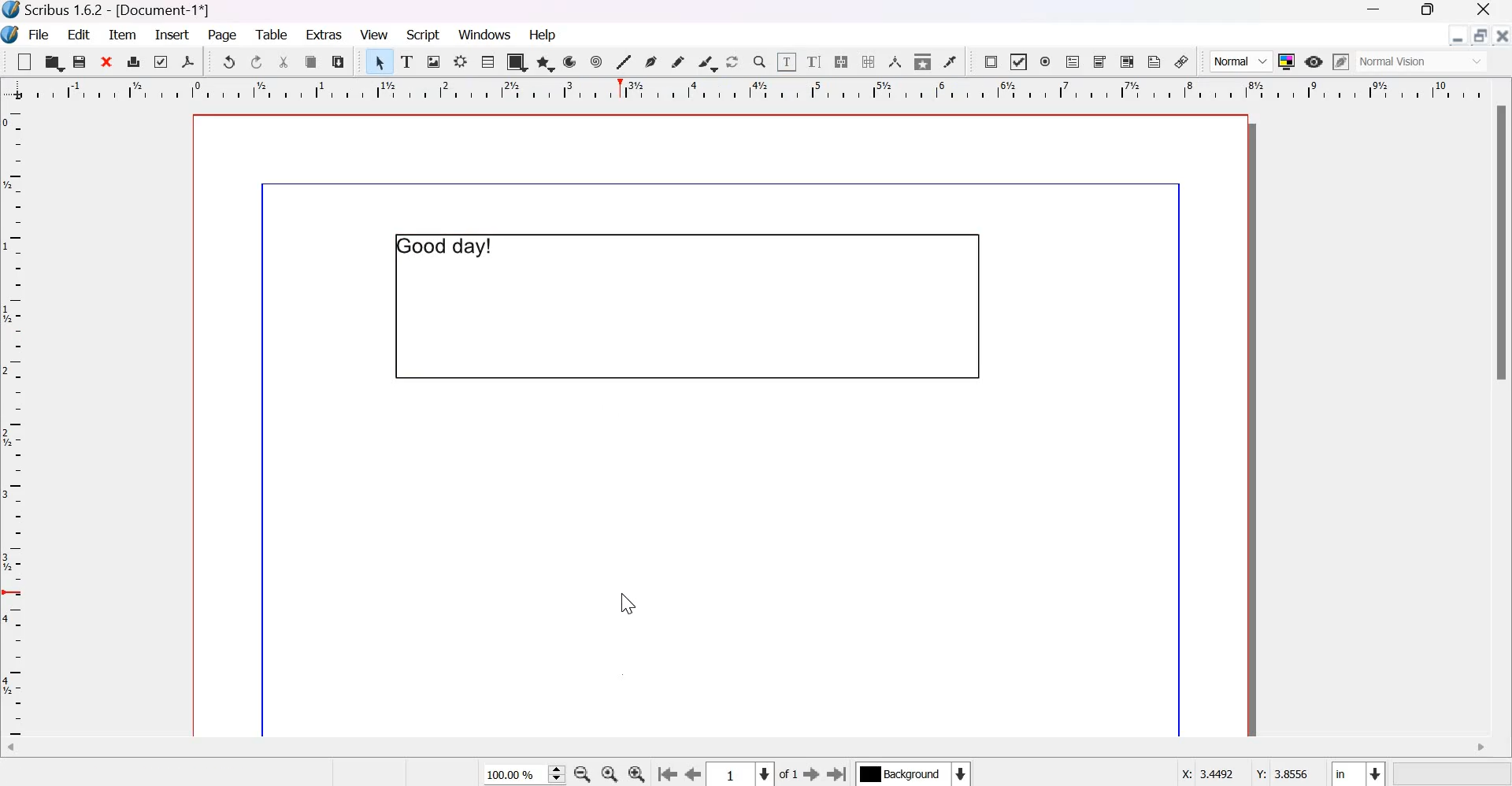  I want to click on preflight verifier, so click(158, 61).